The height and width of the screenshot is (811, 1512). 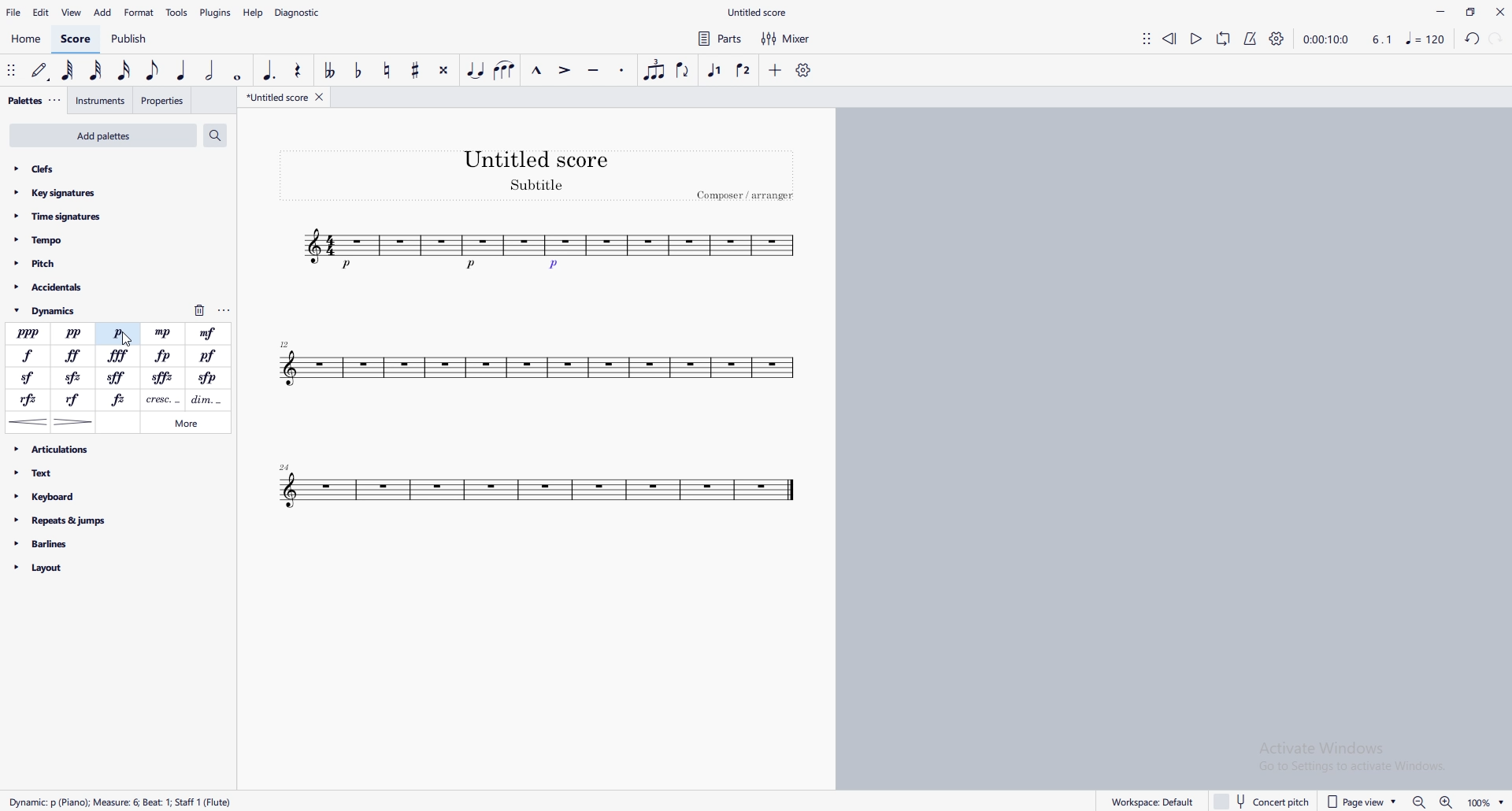 I want to click on undo, so click(x=1473, y=37).